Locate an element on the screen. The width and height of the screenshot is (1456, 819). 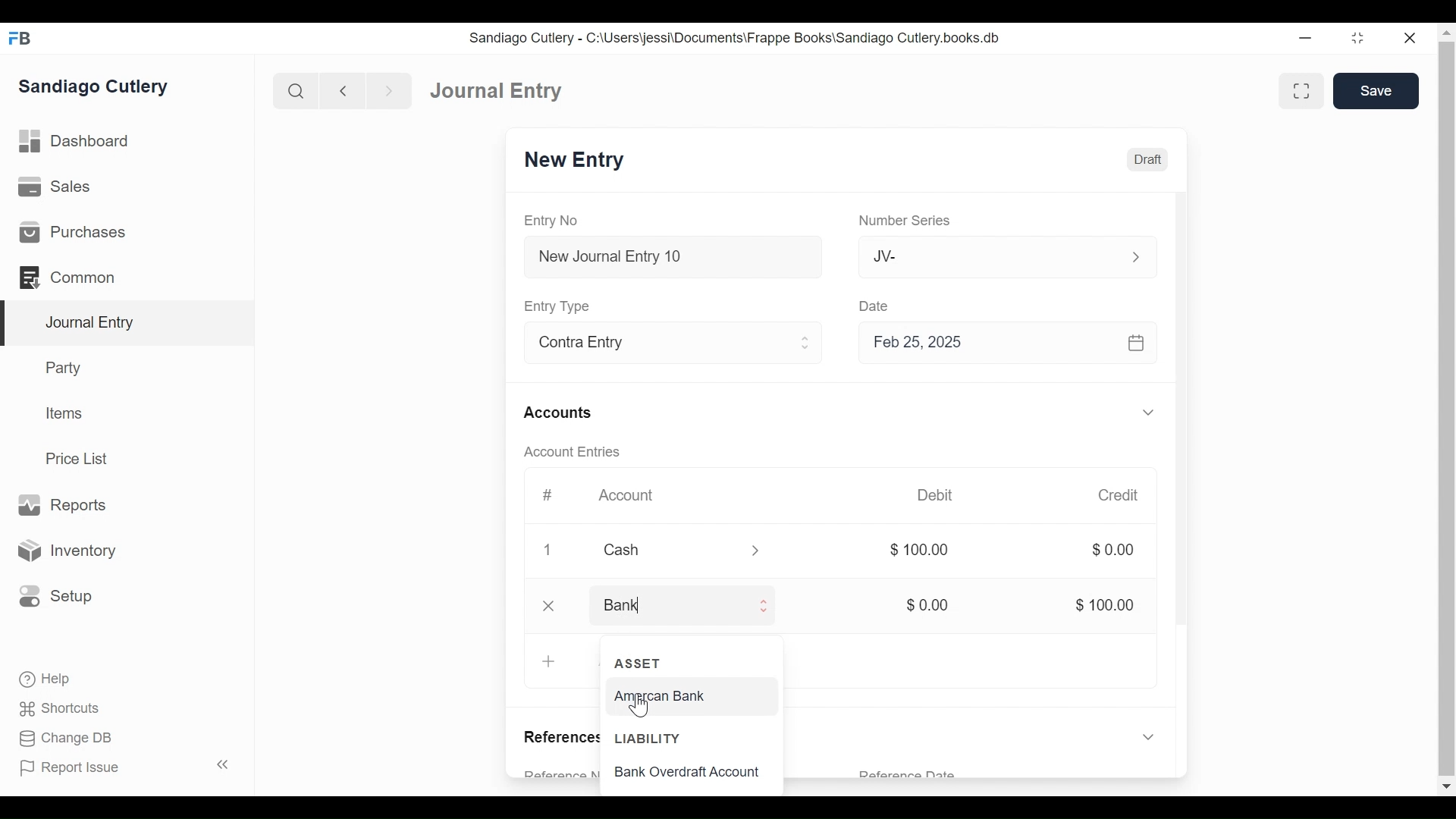
Sales is located at coordinates (53, 188).